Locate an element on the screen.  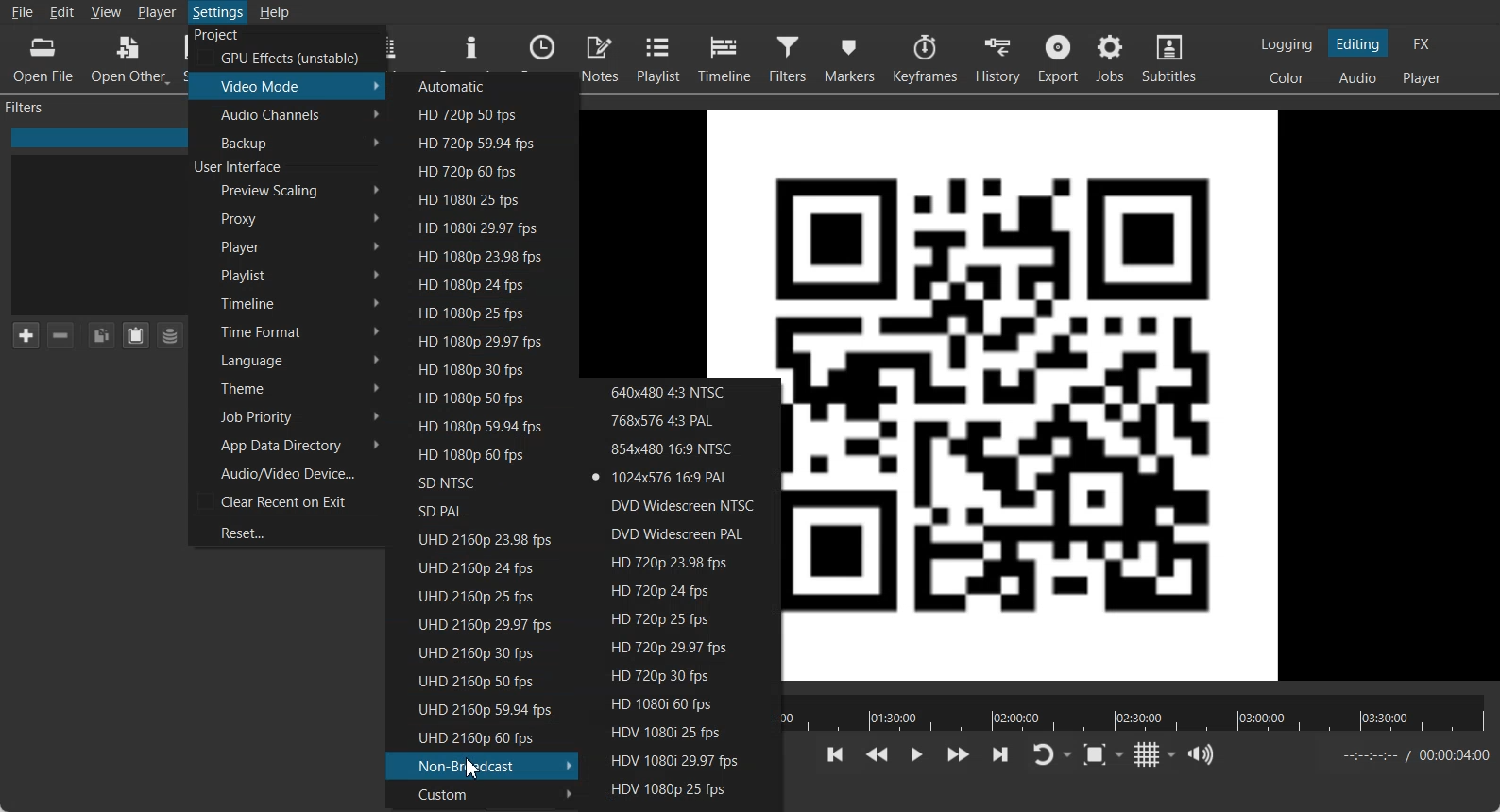
Video slider is located at coordinates (1137, 713).